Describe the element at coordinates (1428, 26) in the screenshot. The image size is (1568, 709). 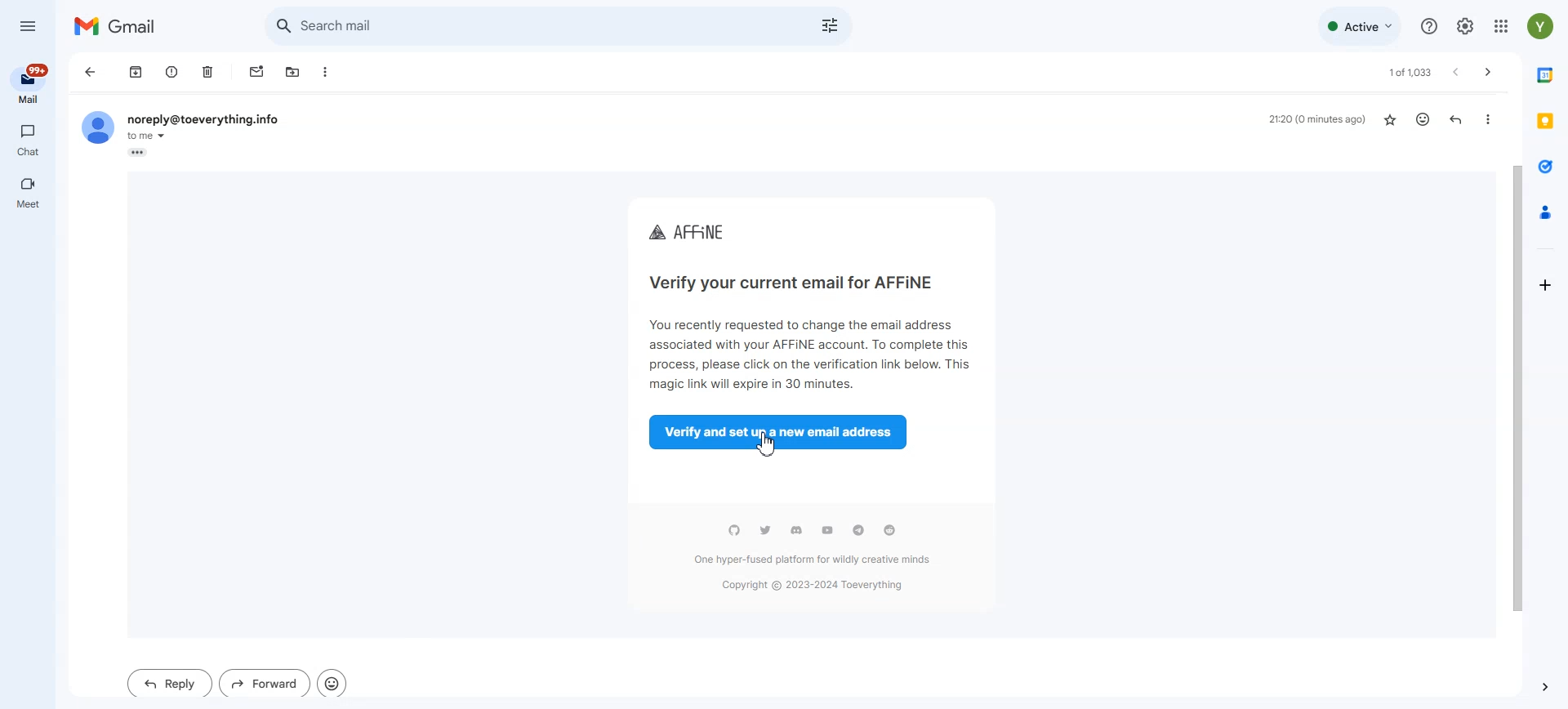
I see `Support` at that location.